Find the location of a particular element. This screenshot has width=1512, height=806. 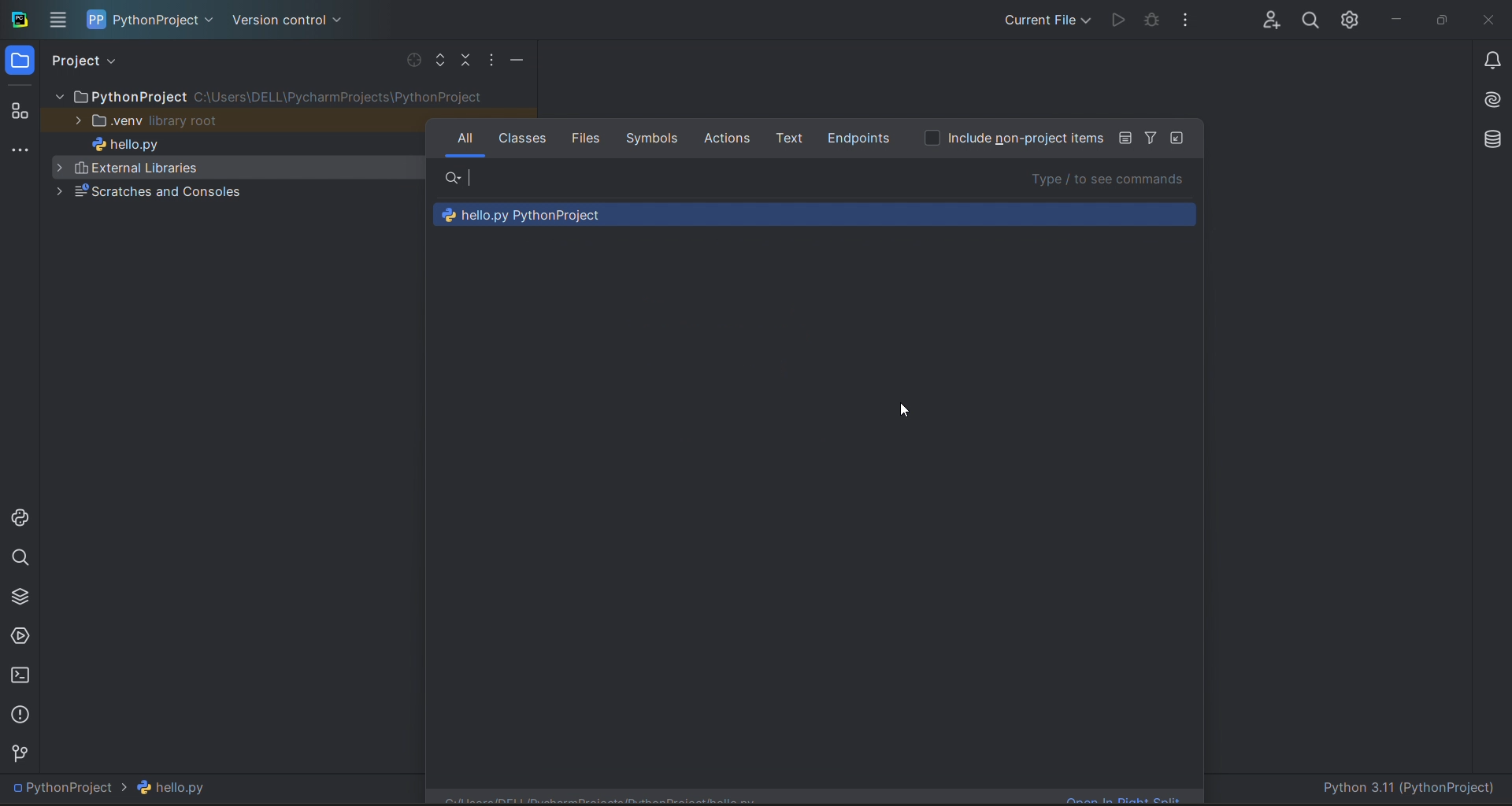

icon is located at coordinates (1178, 137).